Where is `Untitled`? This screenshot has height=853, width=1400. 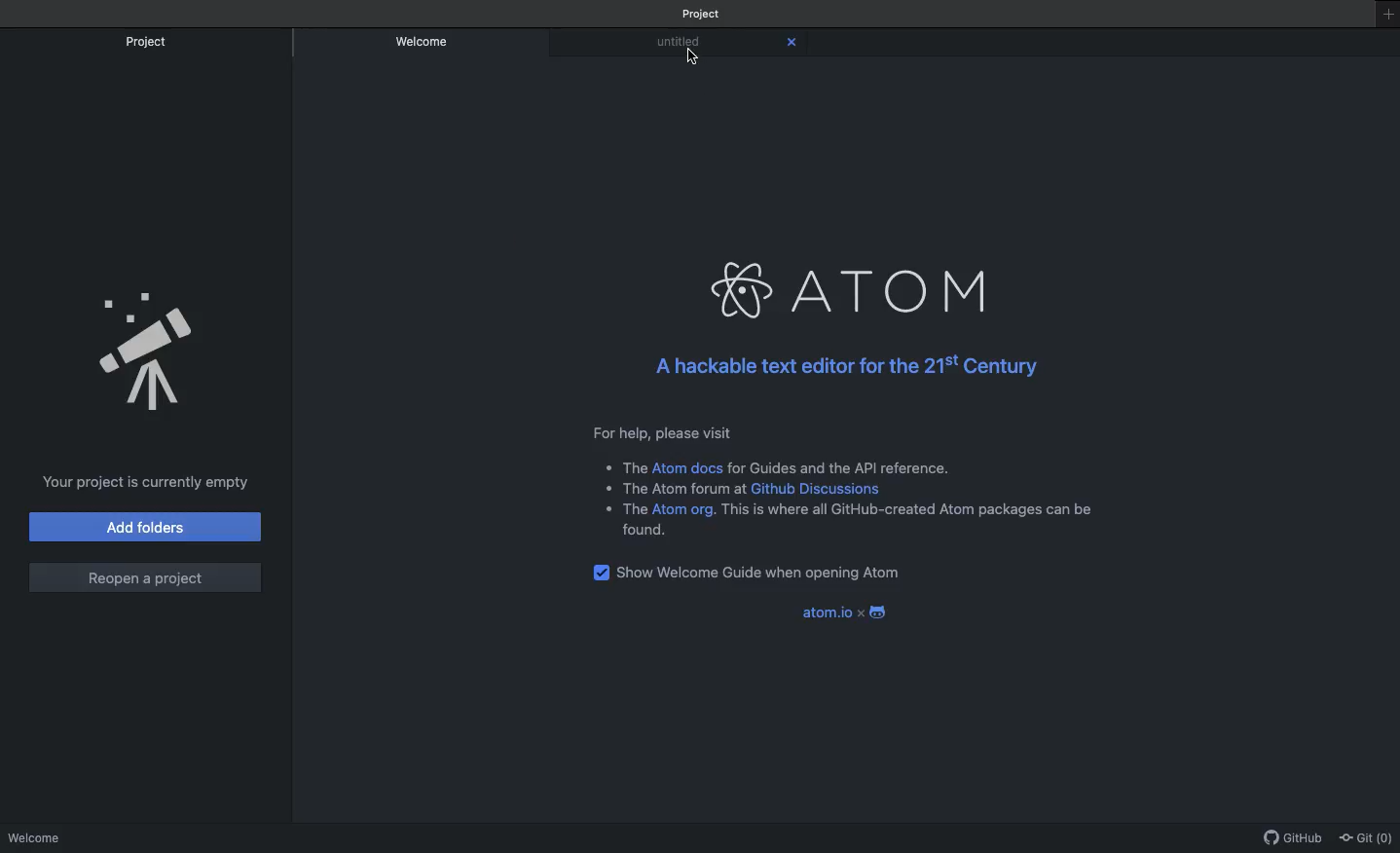 Untitled is located at coordinates (676, 43).